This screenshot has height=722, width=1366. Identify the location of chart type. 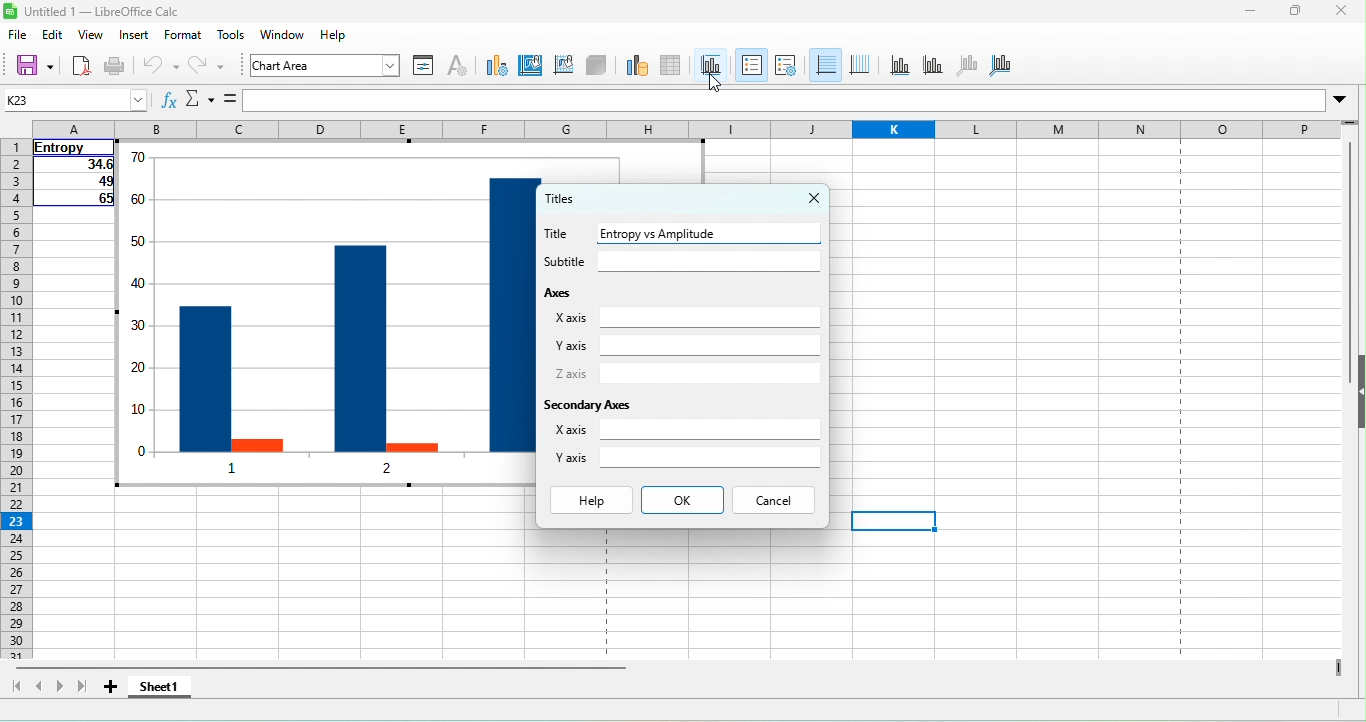
(496, 69).